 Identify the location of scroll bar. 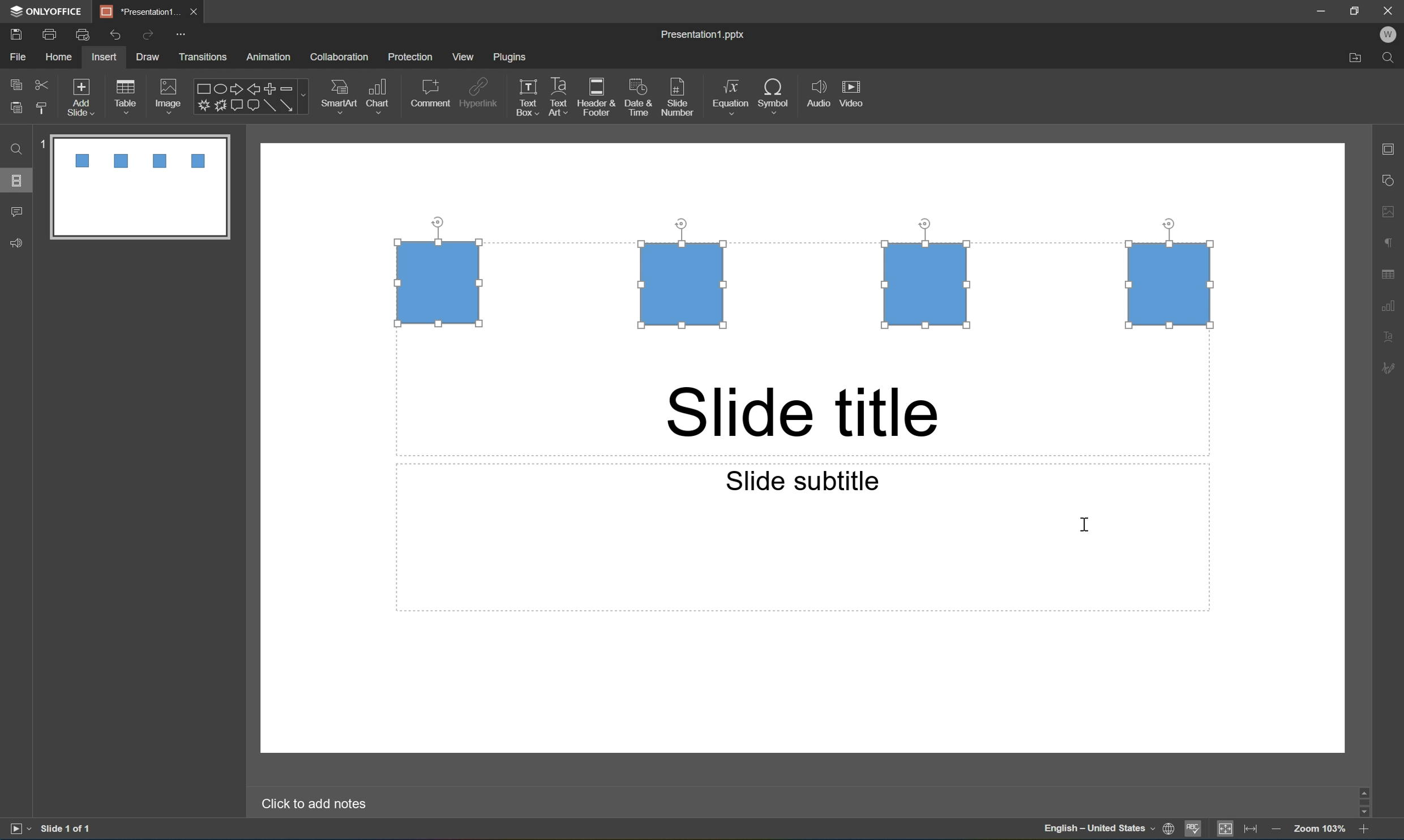
(1367, 801).